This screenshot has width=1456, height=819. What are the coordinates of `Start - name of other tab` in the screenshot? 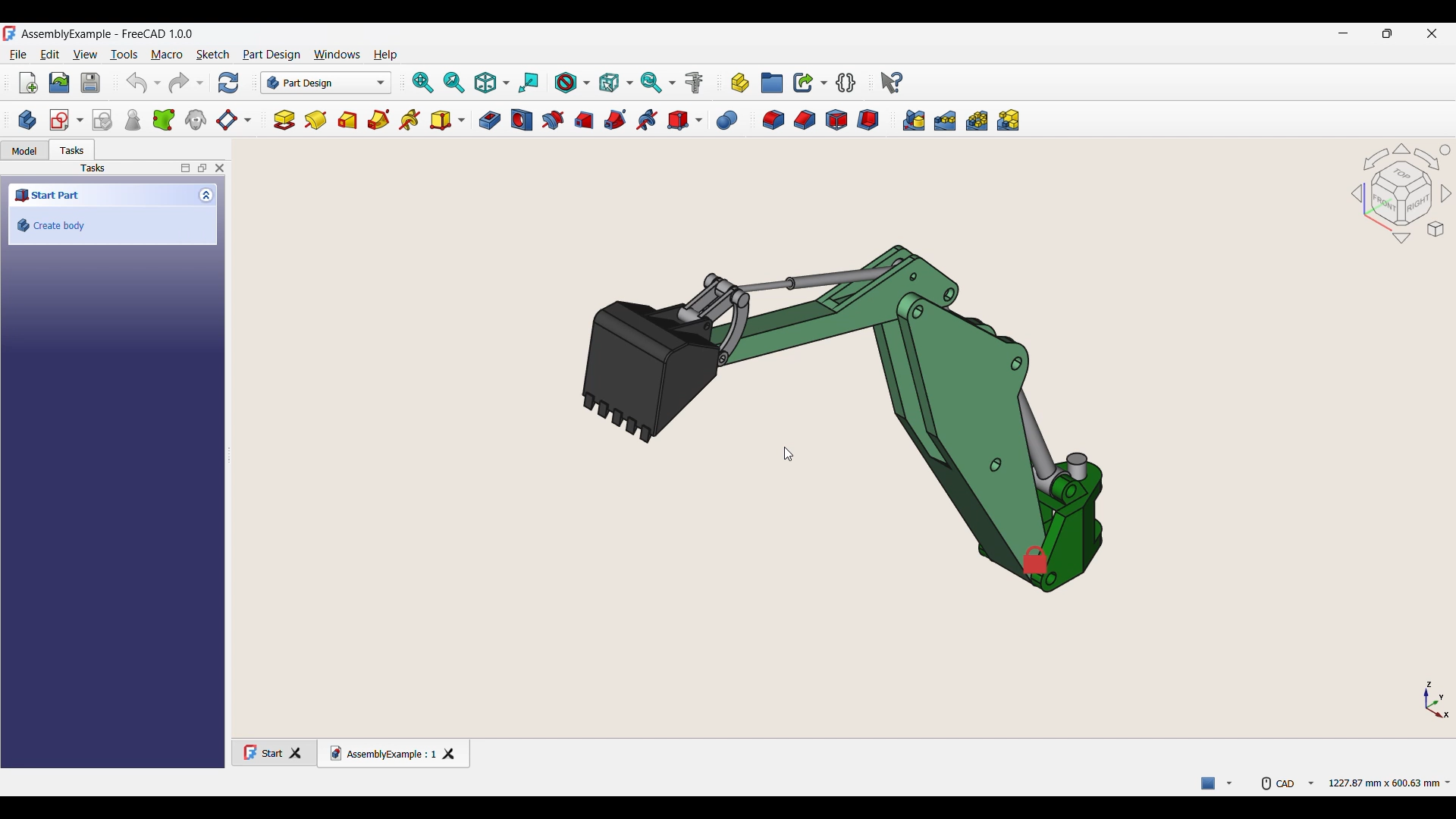 It's located at (261, 750).